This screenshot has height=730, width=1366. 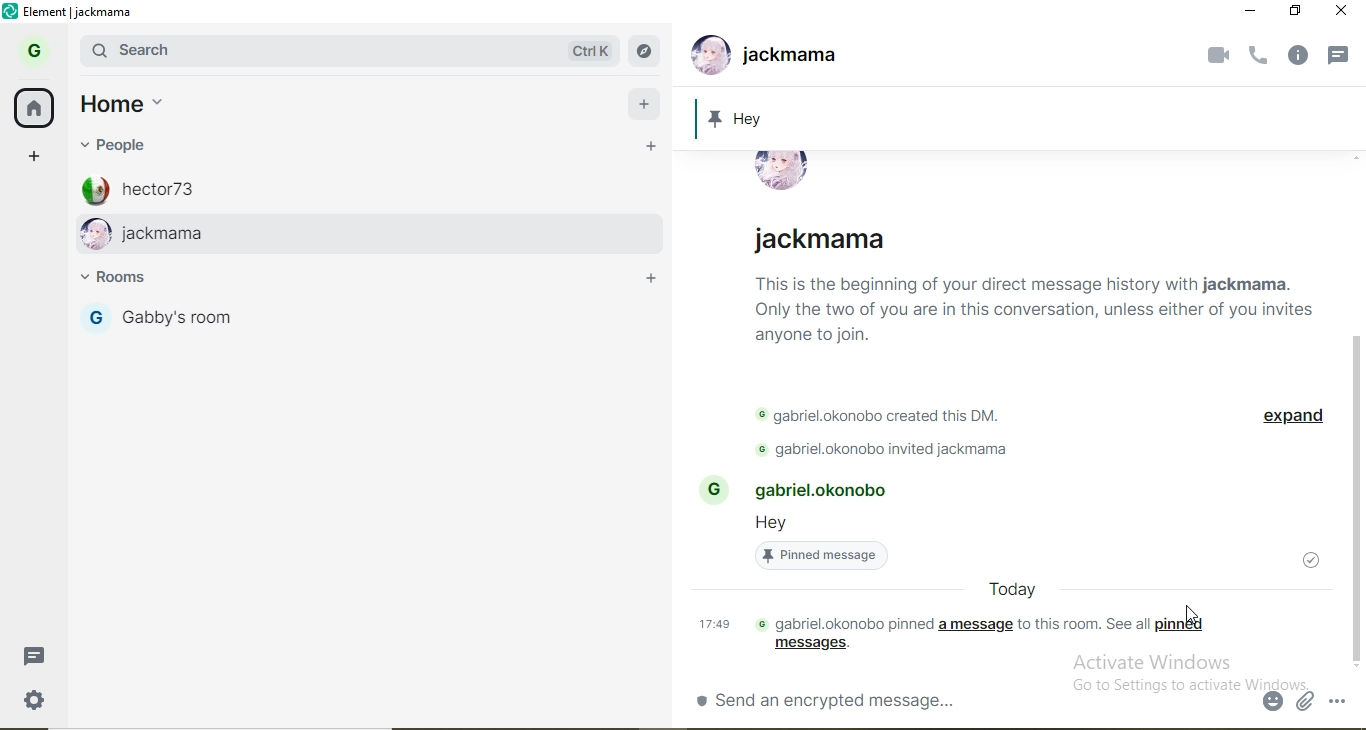 What do you see at coordinates (1287, 13) in the screenshot?
I see `` at bounding box center [1287, 13].